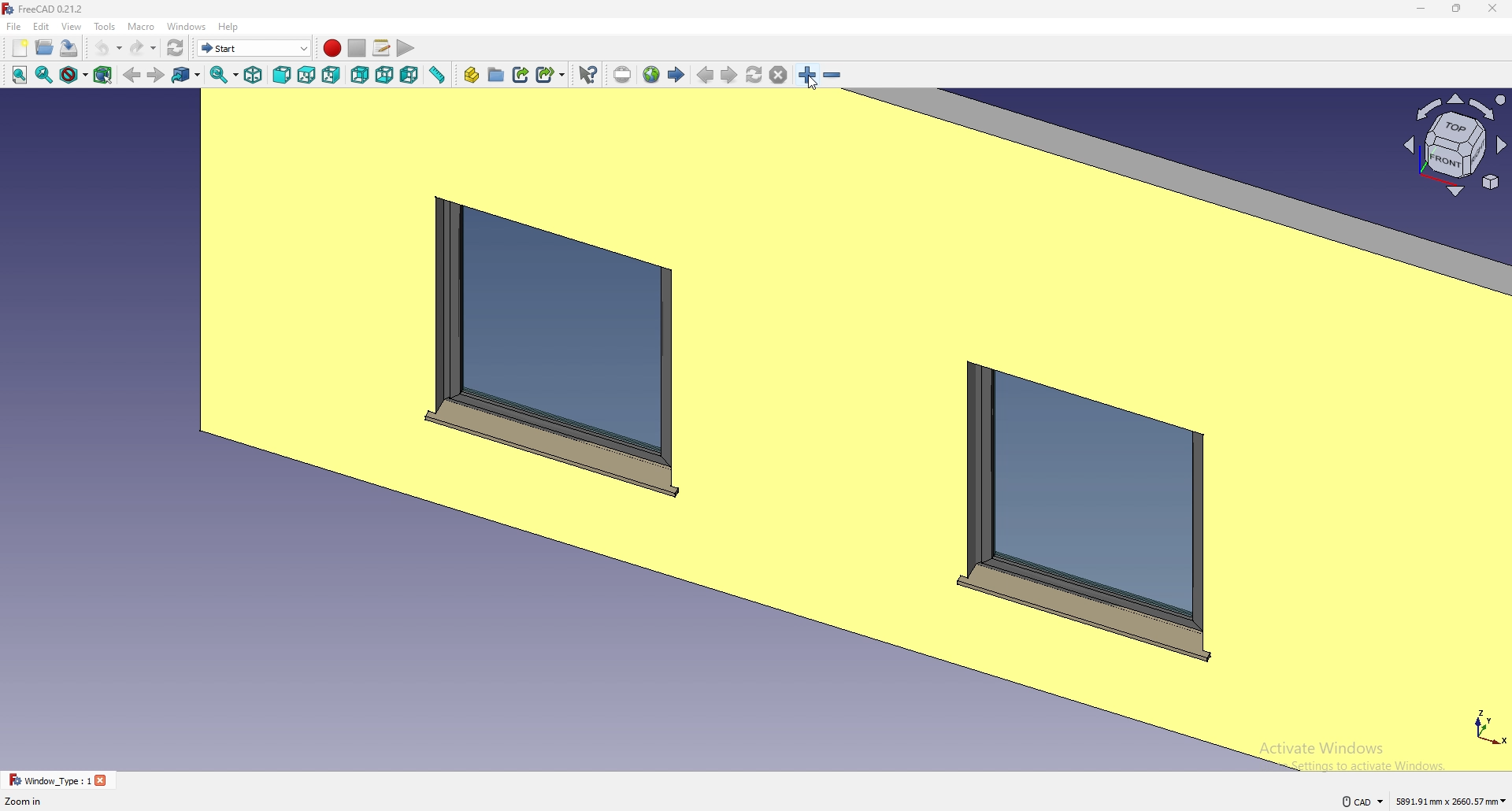 The height and width of the screenshot is (811, 1512). I want to click on sync view, so click(224, 75).